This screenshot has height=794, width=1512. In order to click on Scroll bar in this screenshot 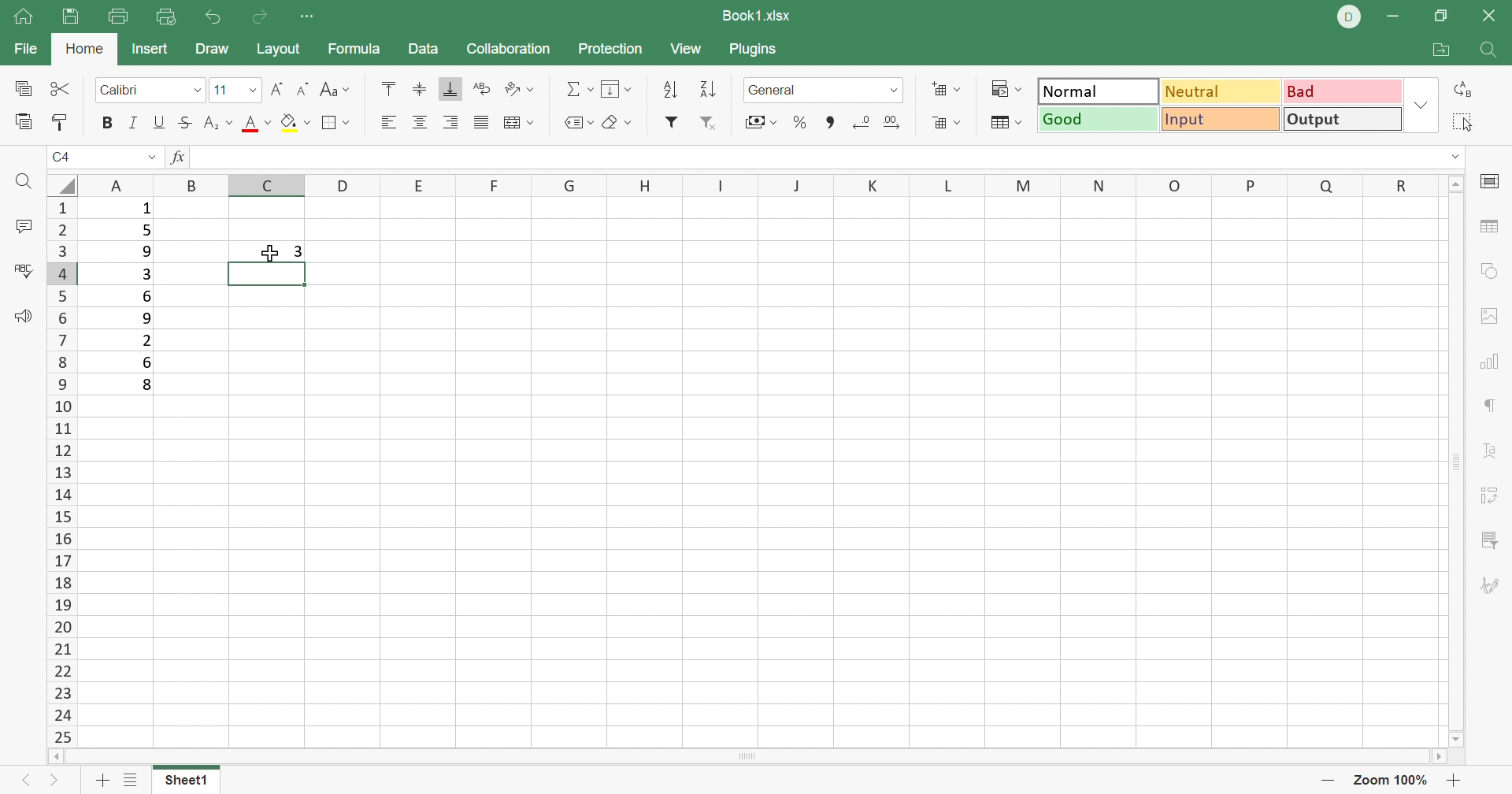, I will do `click(747, 756)`.